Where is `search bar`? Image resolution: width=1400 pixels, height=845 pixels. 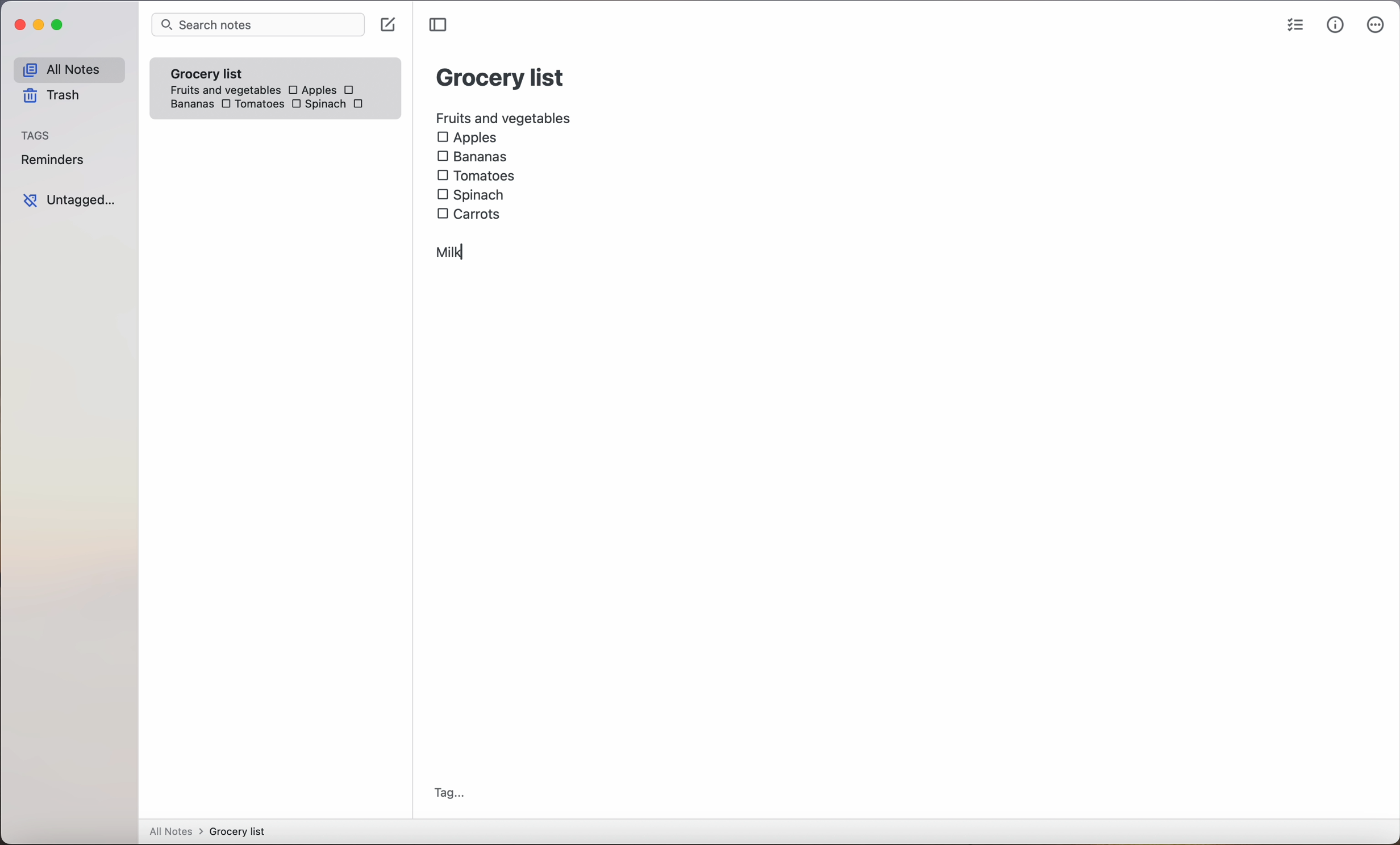
search bar is located at coordinates (257, 26).